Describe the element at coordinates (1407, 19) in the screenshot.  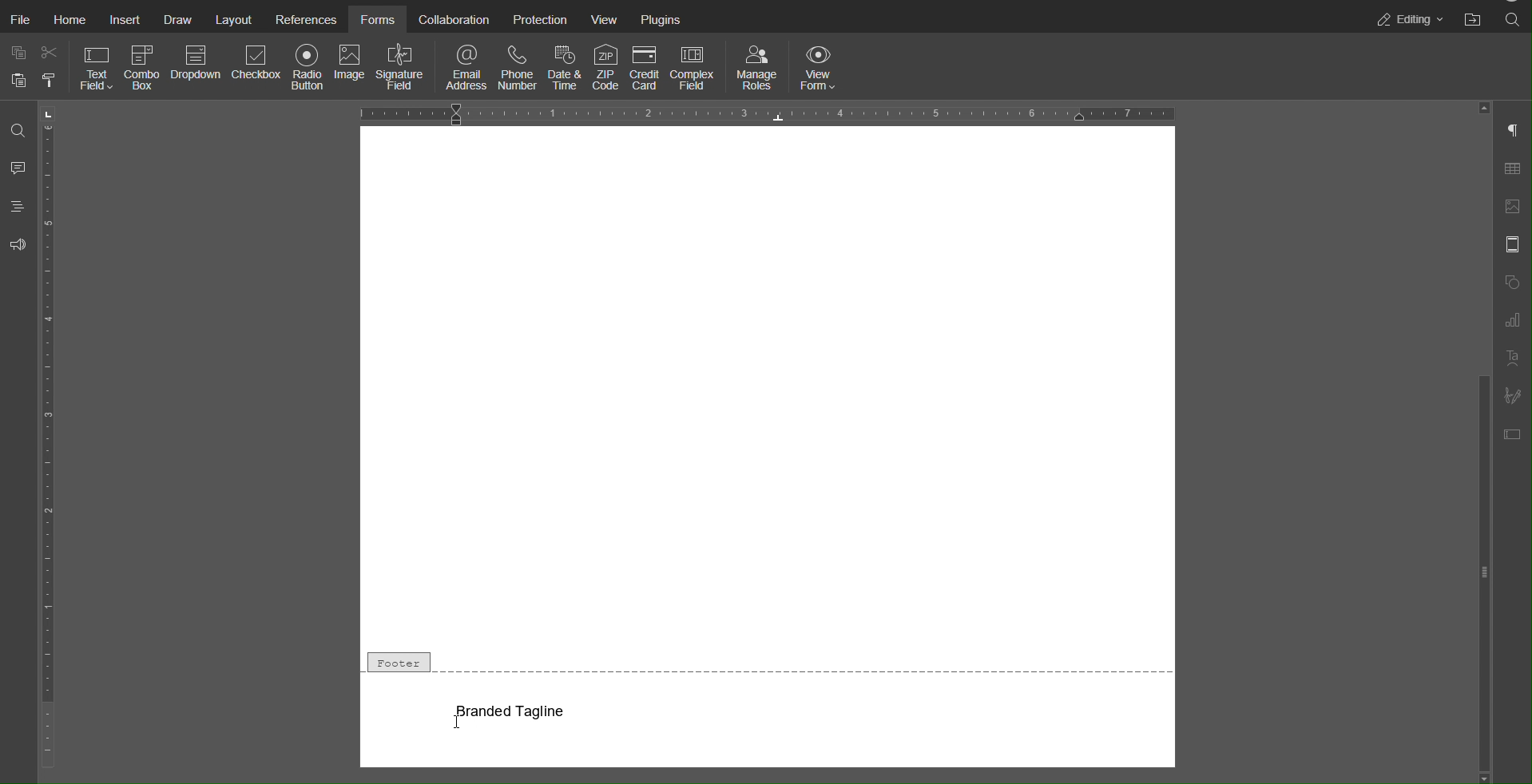
I see `Editing` at that location.